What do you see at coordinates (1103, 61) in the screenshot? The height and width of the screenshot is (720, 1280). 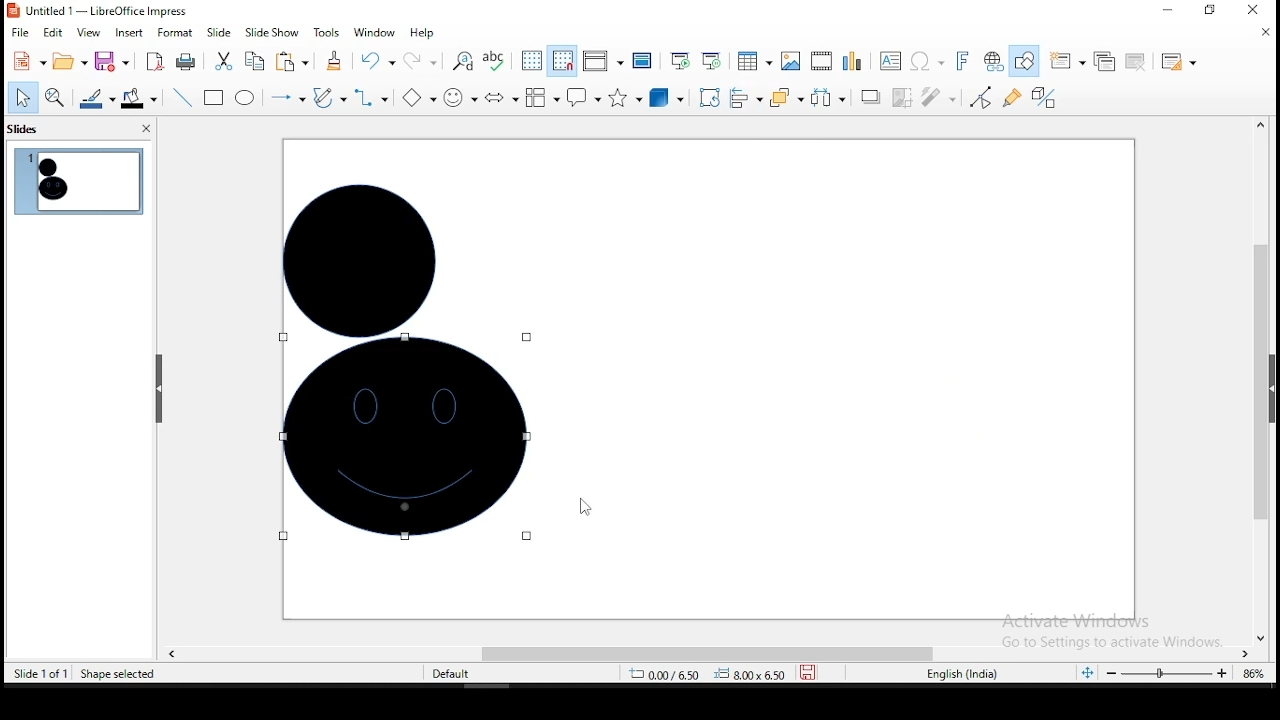 I see `duplicate slide` at bounding box center [1103, 61].